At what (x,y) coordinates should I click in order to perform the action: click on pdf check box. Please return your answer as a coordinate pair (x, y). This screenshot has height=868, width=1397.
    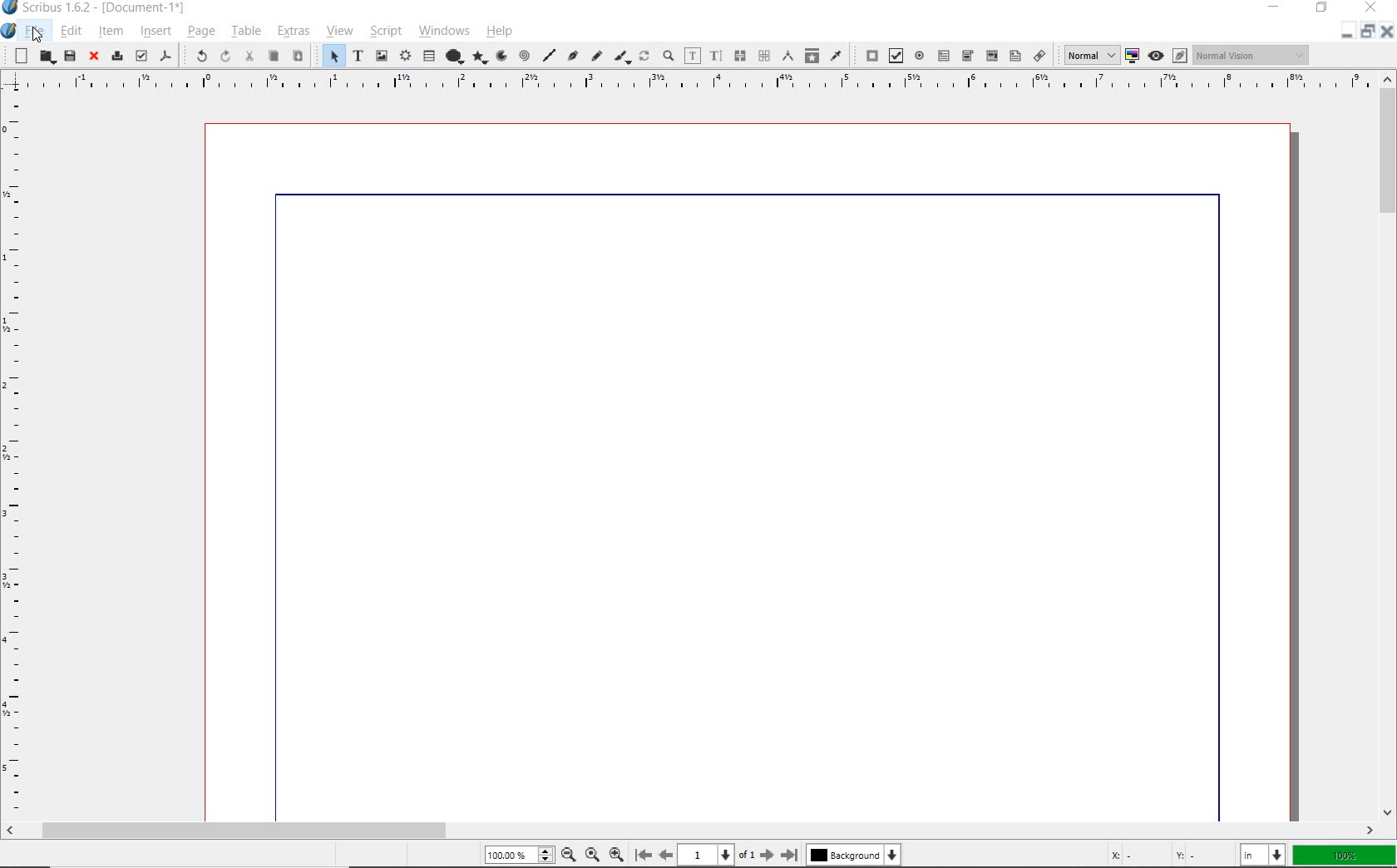
    Looking at the image, I should click on (896, 56).